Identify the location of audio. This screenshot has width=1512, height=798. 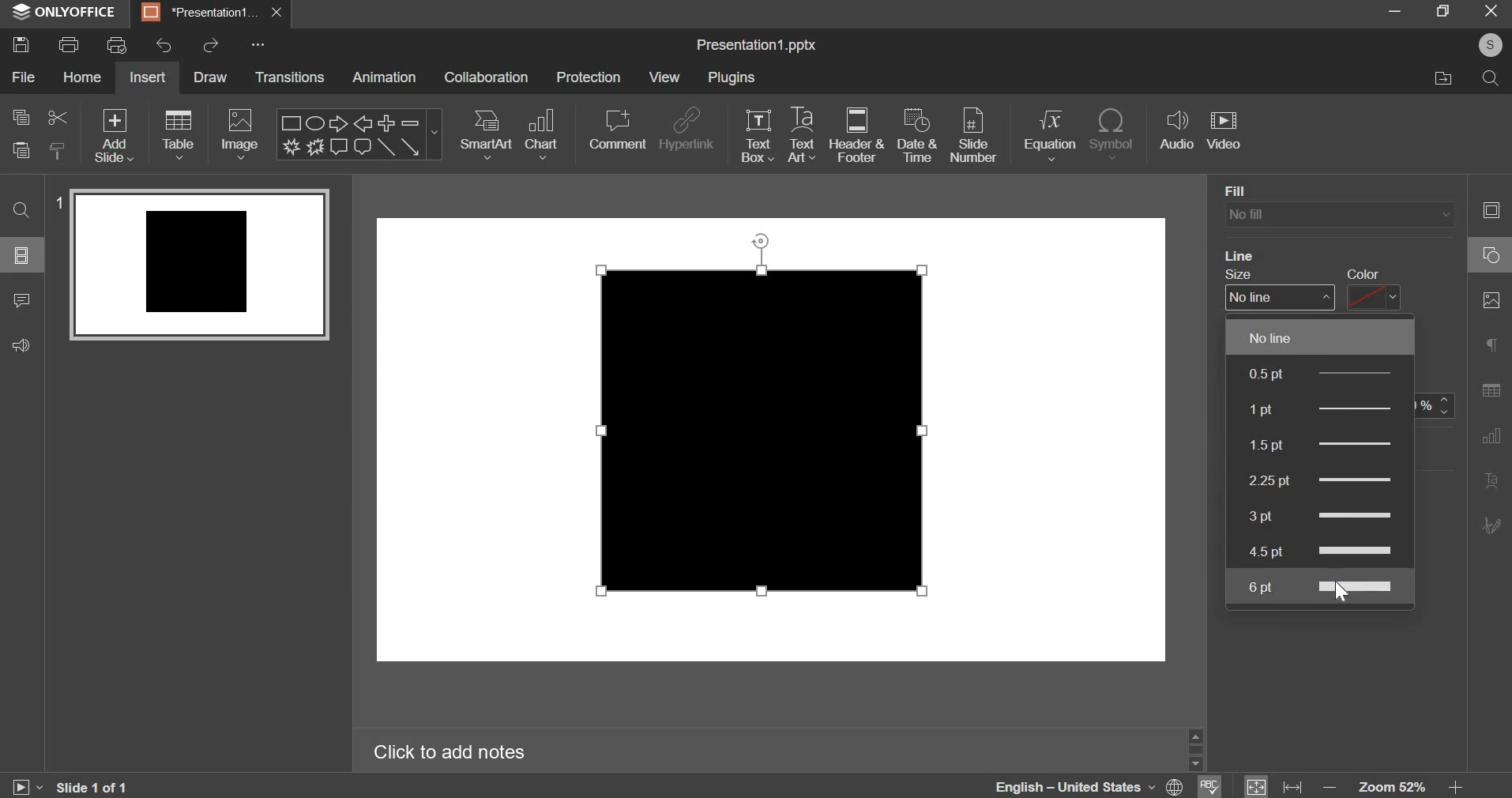
(1178, 130).